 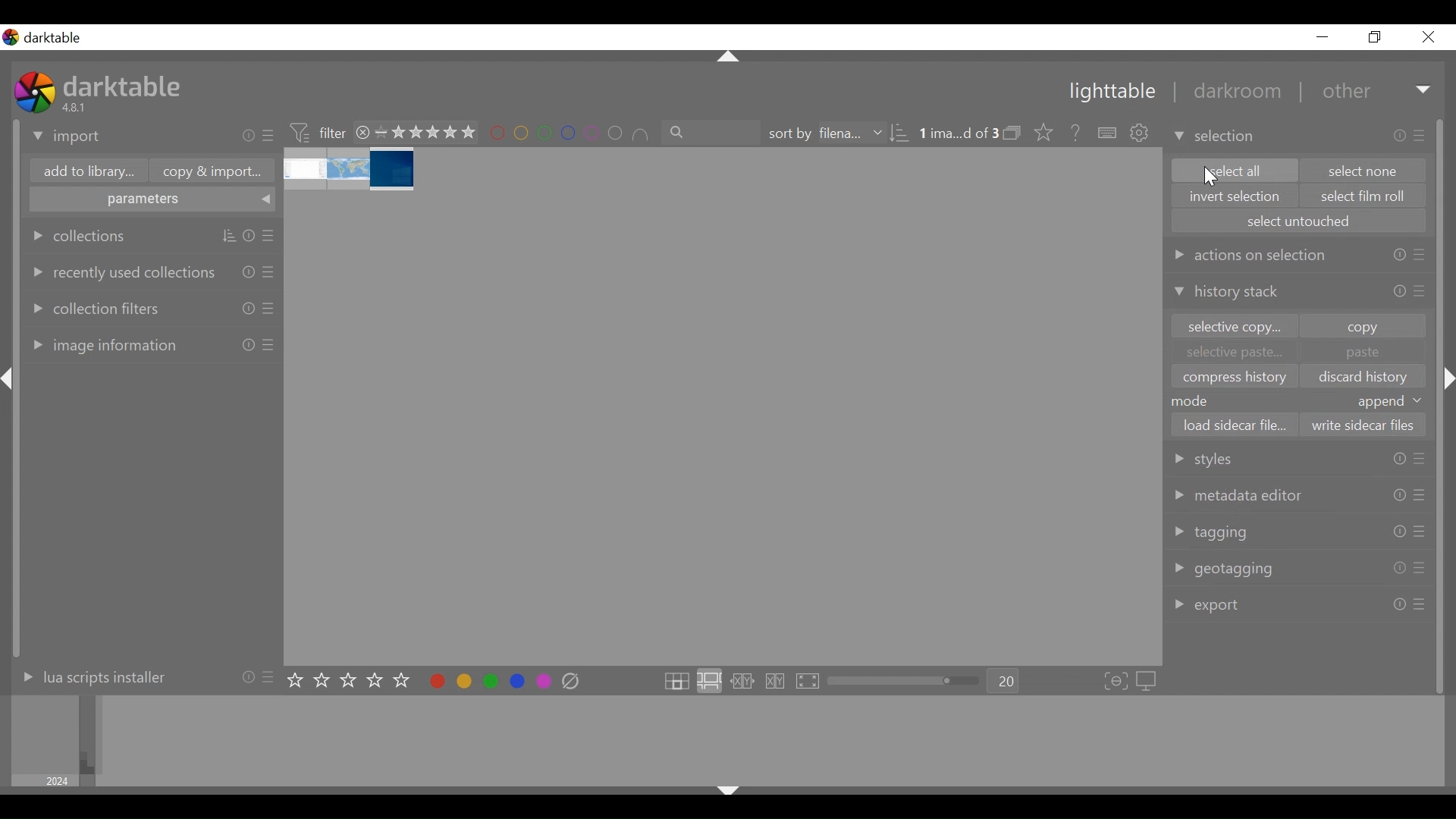 What do you see at coordinates (1240, 494) in the screenshot?
I see `metadata editor` at bounding box center [1240, 494].